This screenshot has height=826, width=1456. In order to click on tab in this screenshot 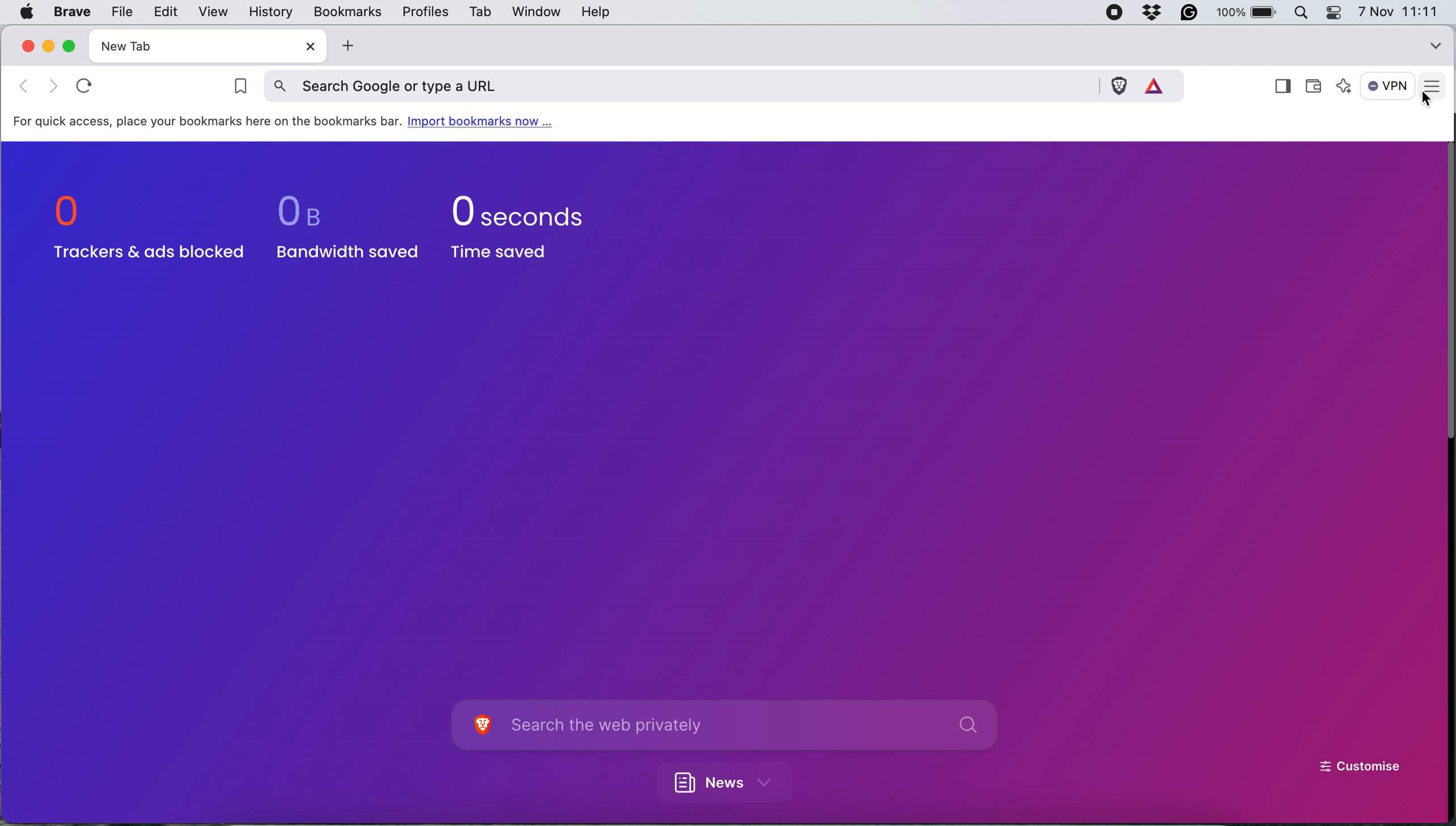, I will do `click(478, 14)`.